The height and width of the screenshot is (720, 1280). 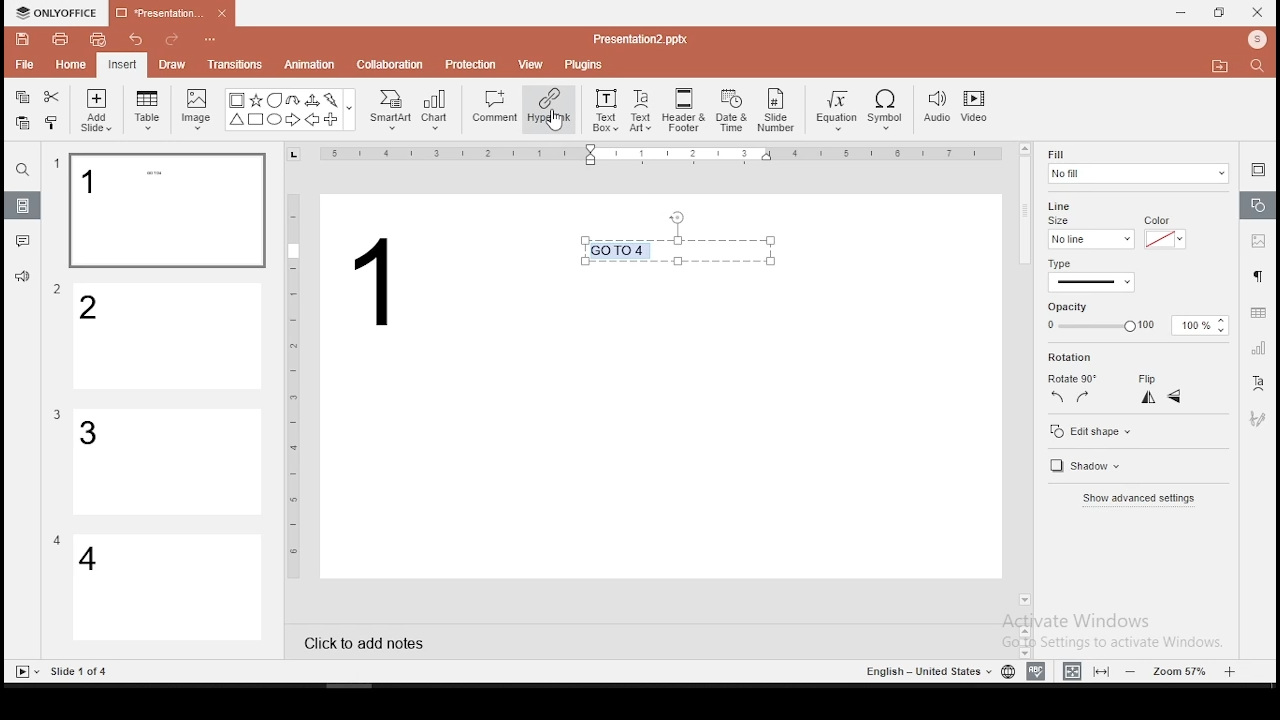 I want to click on date and time, so click(x=732, y=110).